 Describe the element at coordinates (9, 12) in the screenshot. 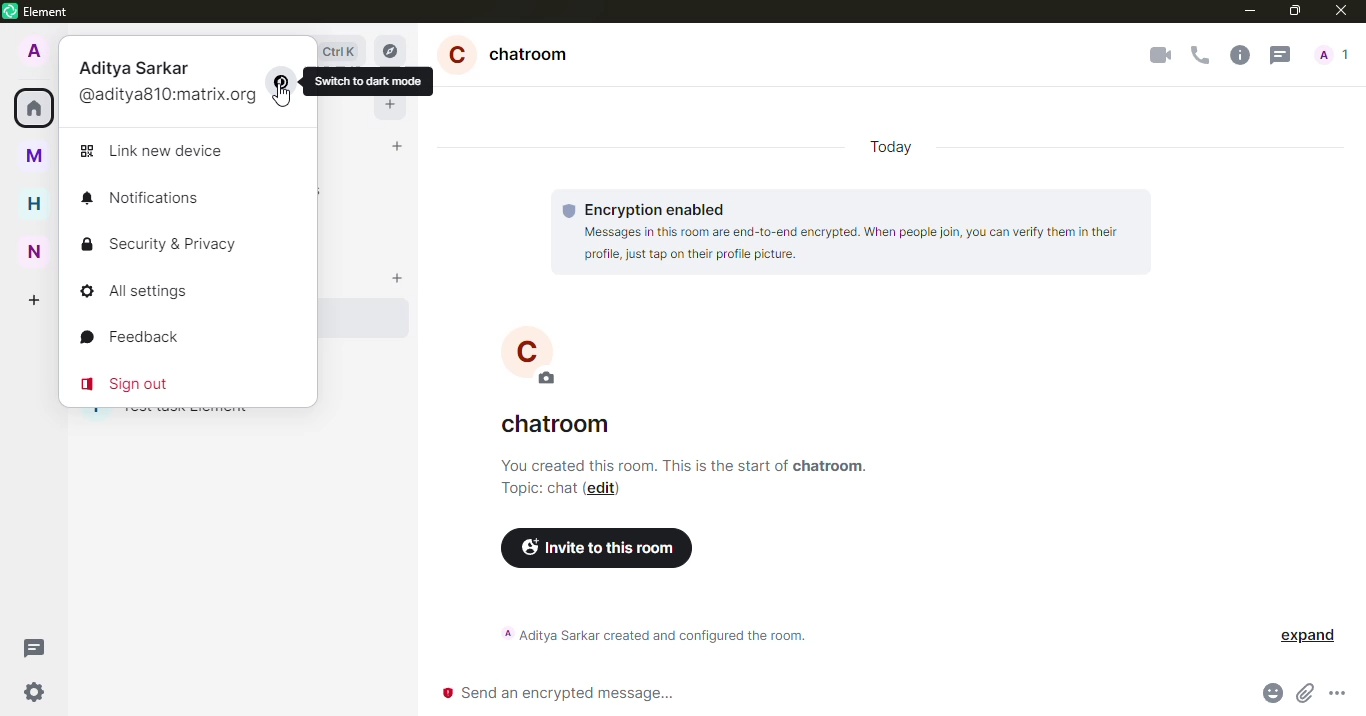

I see `element logo` at that location.